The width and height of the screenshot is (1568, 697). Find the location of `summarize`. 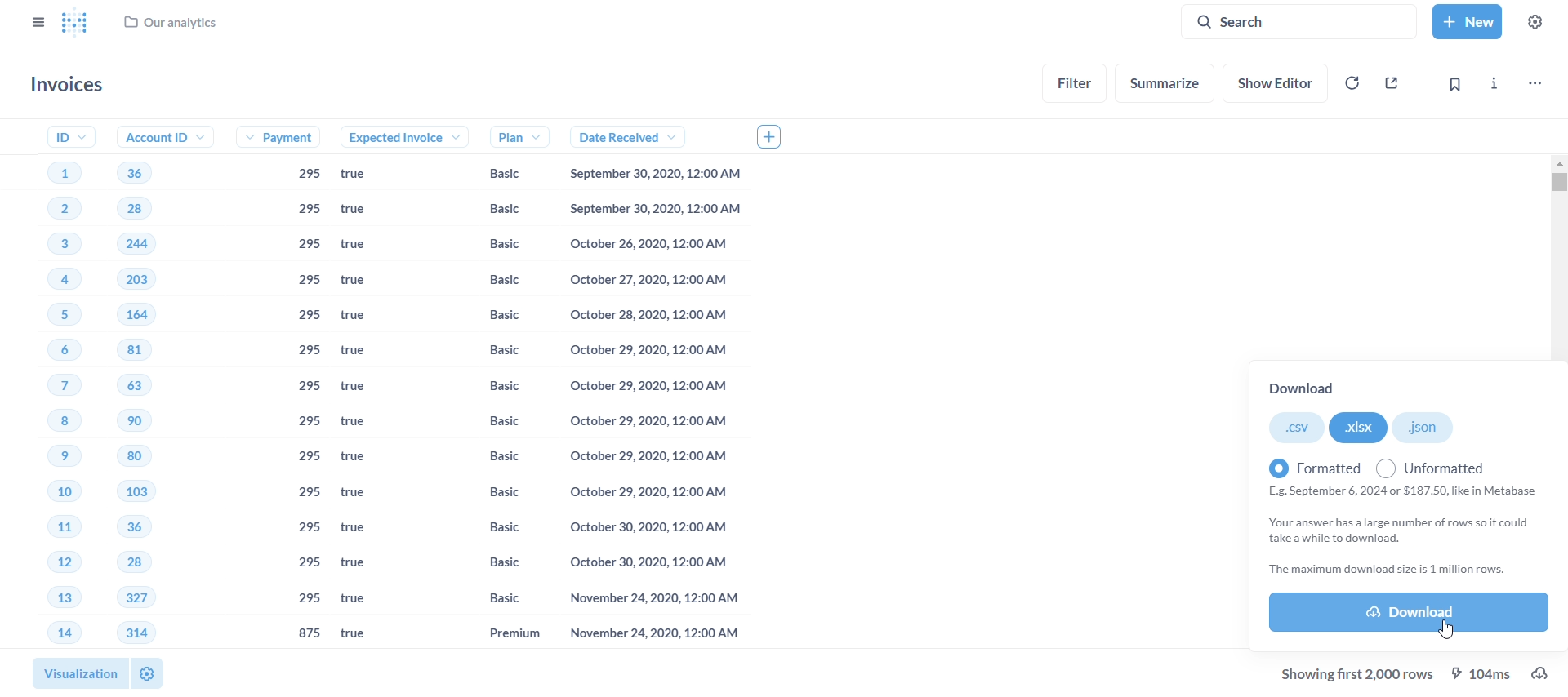

summarize is located at coordinates (1166, 83).